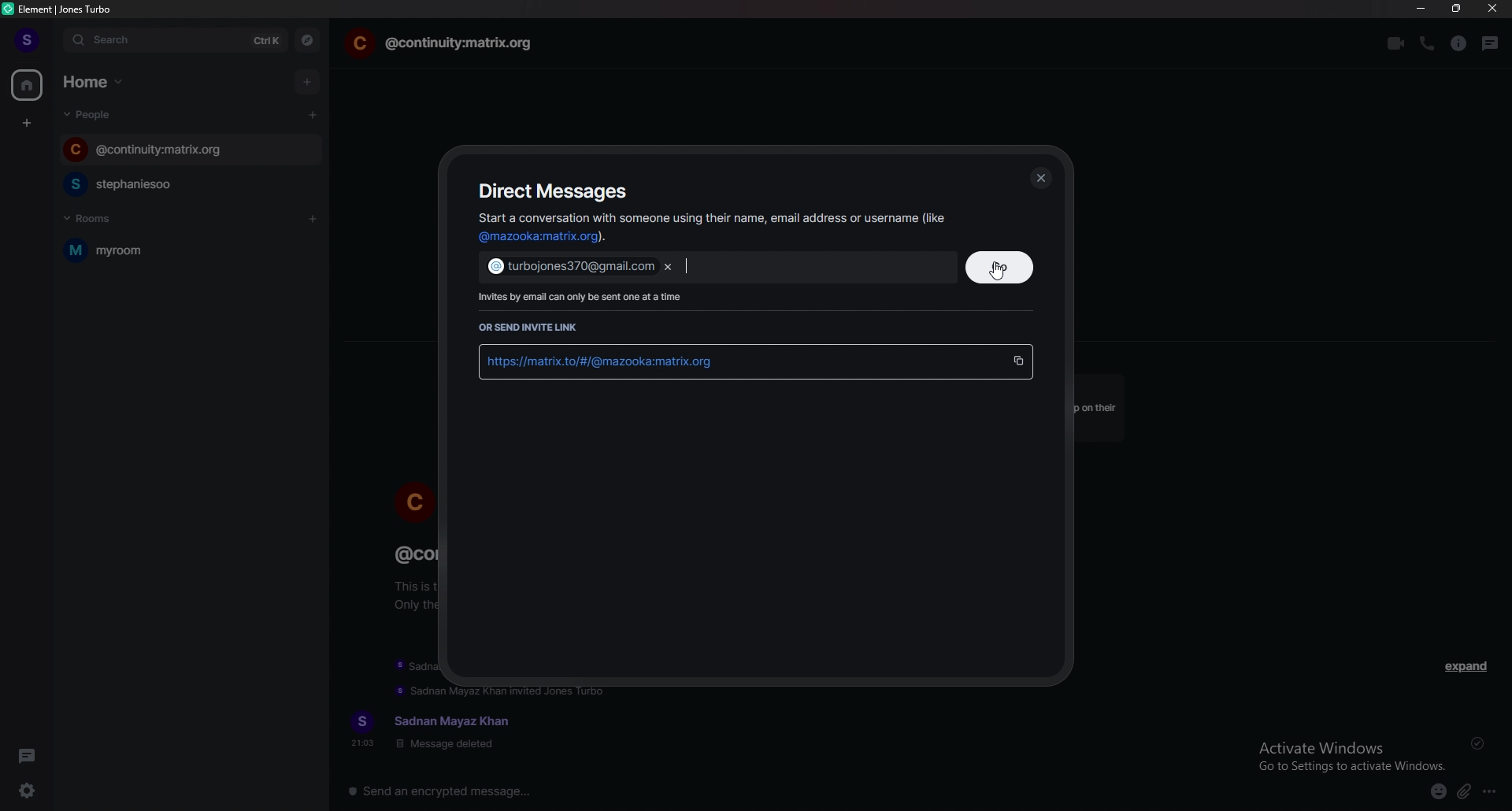 The image size is (1512, 811). I want to click on close, so click(1492, 9).